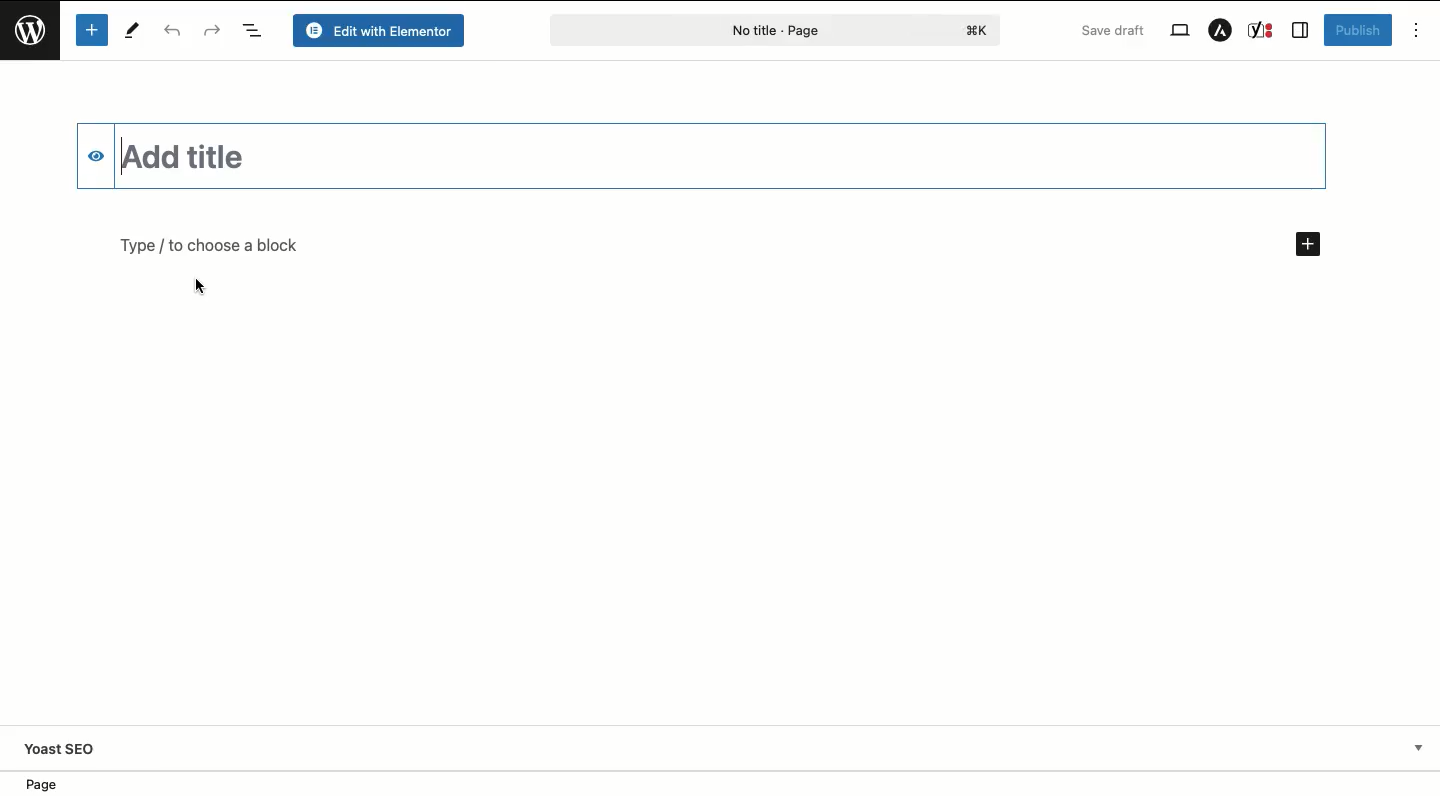  I want to click on Sidebar, so click(1301, 31).